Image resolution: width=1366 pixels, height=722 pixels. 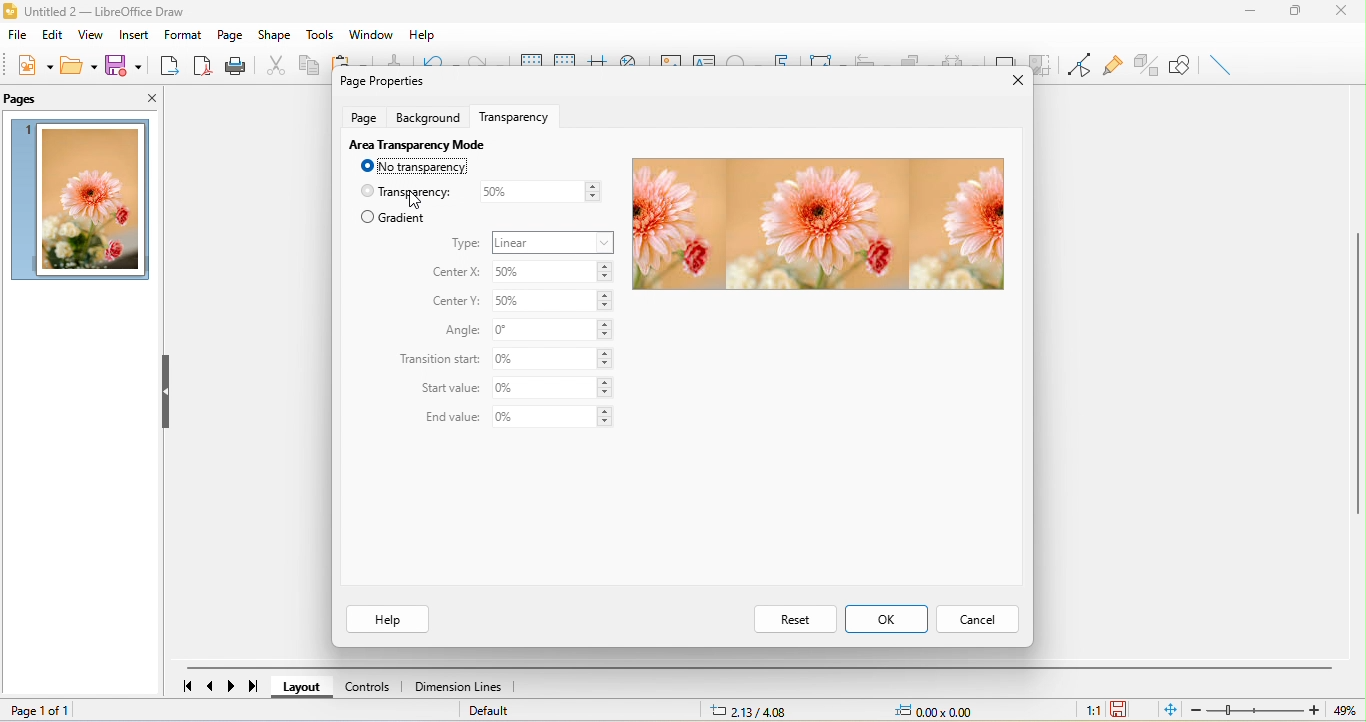 I want to click on insert line, so click(x=1221, y=64).